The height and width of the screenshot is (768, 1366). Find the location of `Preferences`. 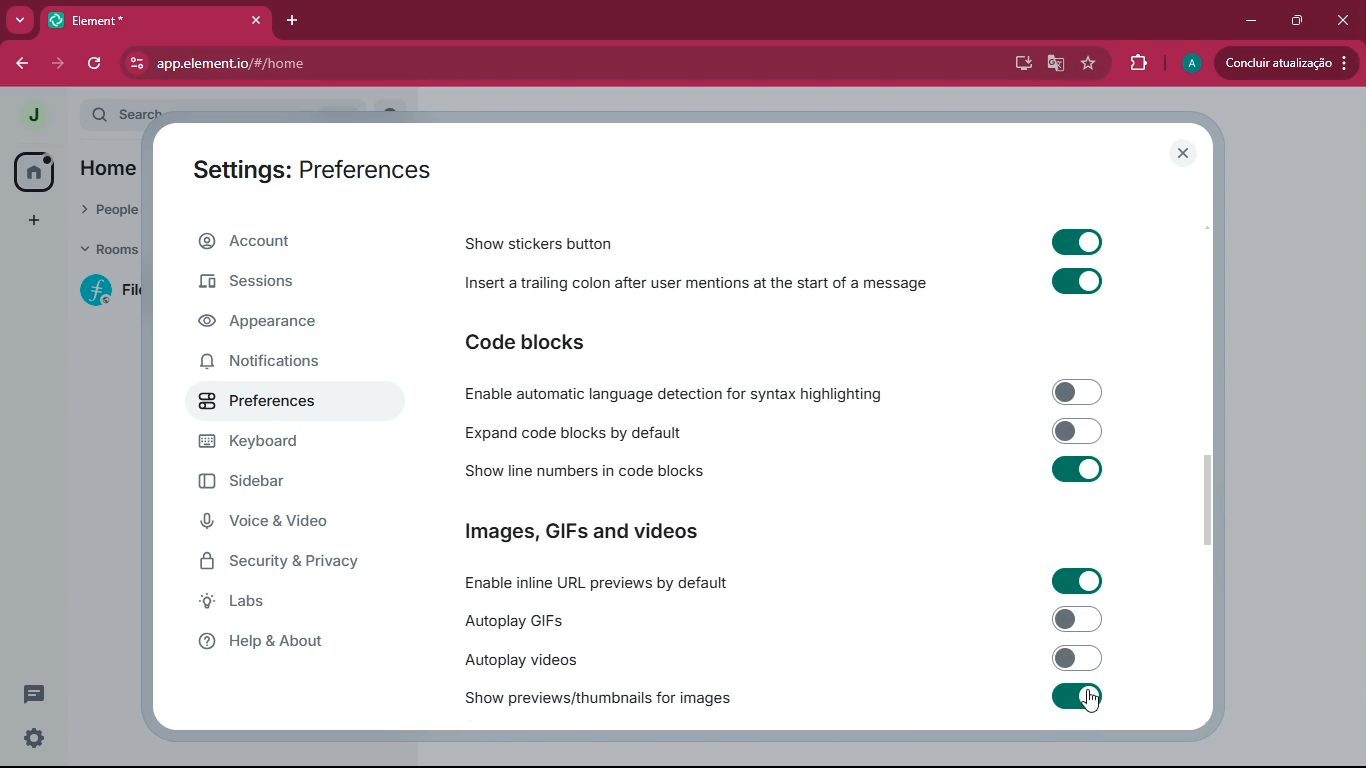

Preferences is located at coordinates (292, 404).